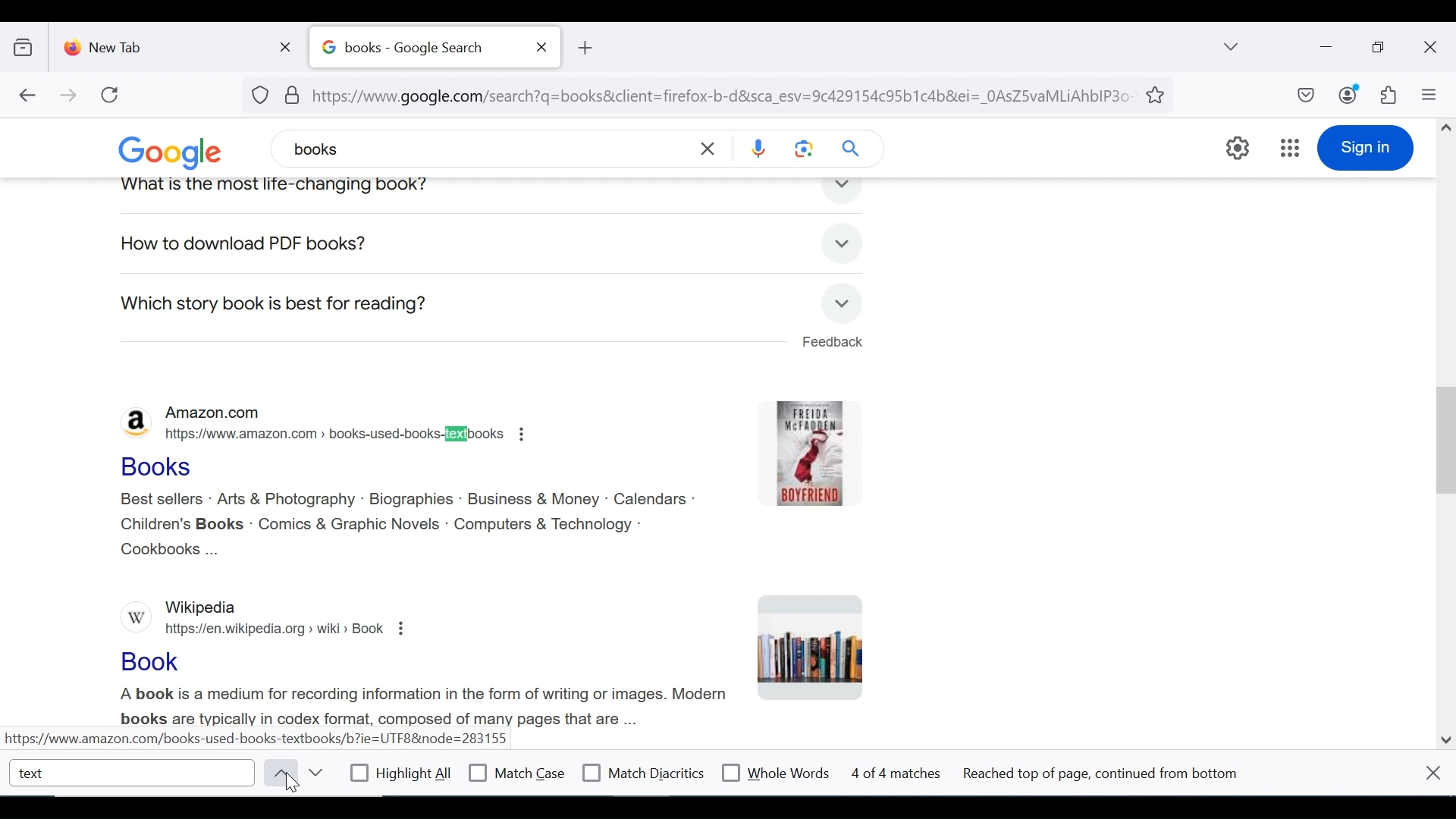 Image resolution: width=1456 pixels, height=819 pixels. What do you see at coordinates (152, 664) in the screenshot?
I see `book` at bounding box center [152, 664].